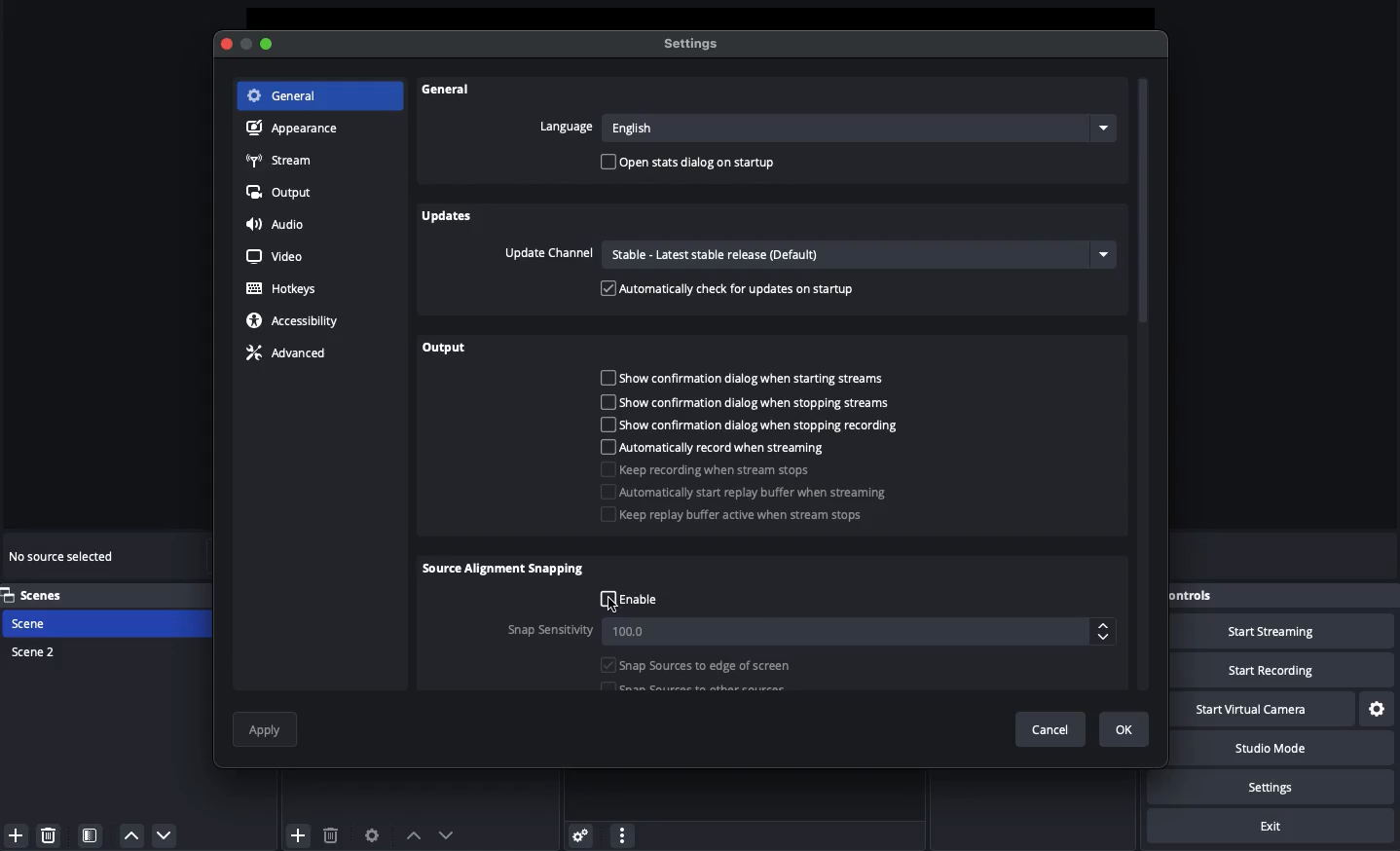 The image size is (1400, 851). I want to click on Up, so click(411, 832).